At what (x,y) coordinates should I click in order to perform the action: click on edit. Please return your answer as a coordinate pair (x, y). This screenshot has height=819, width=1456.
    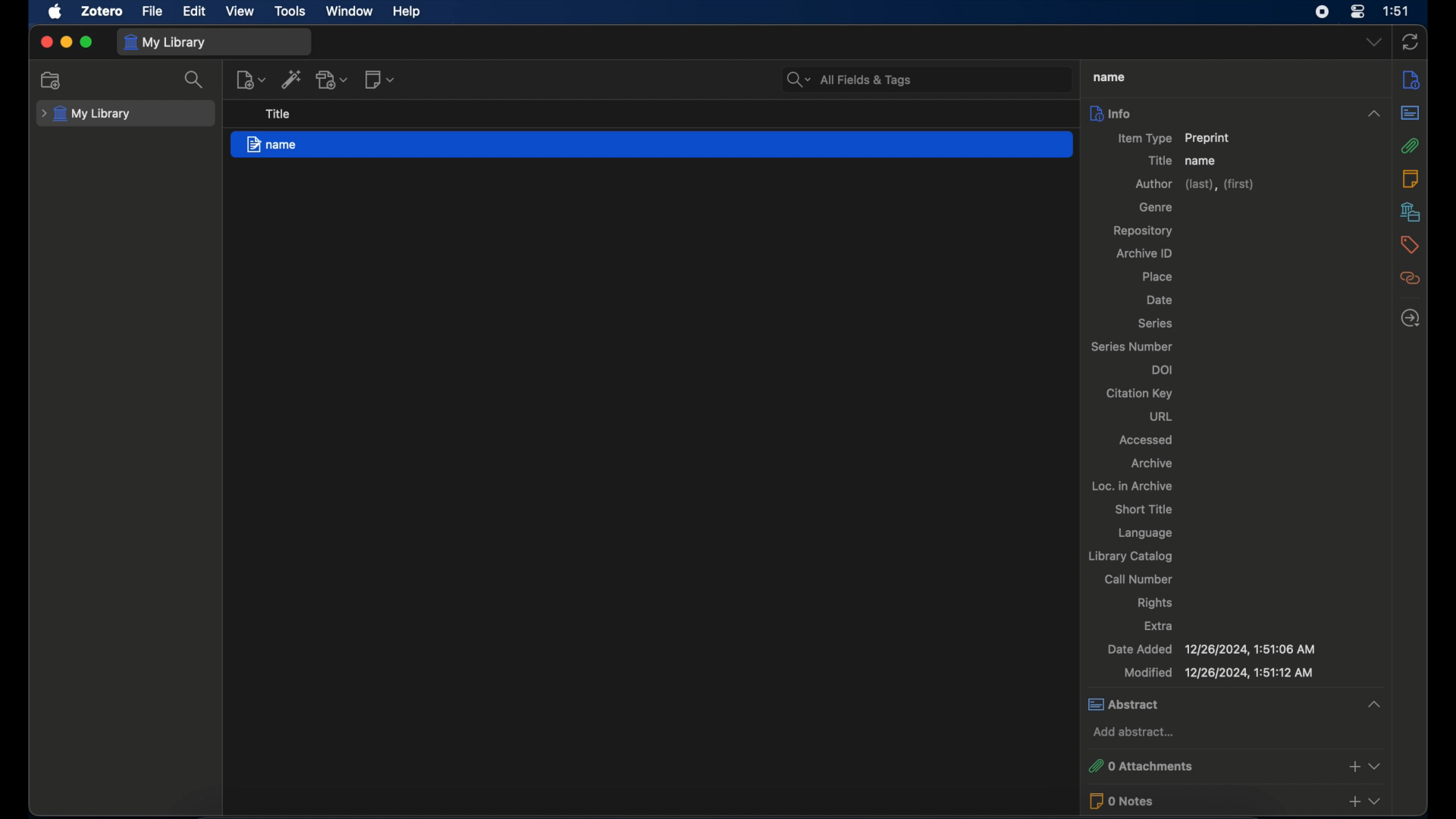
    Looking at the image, I should click on (196, 12).